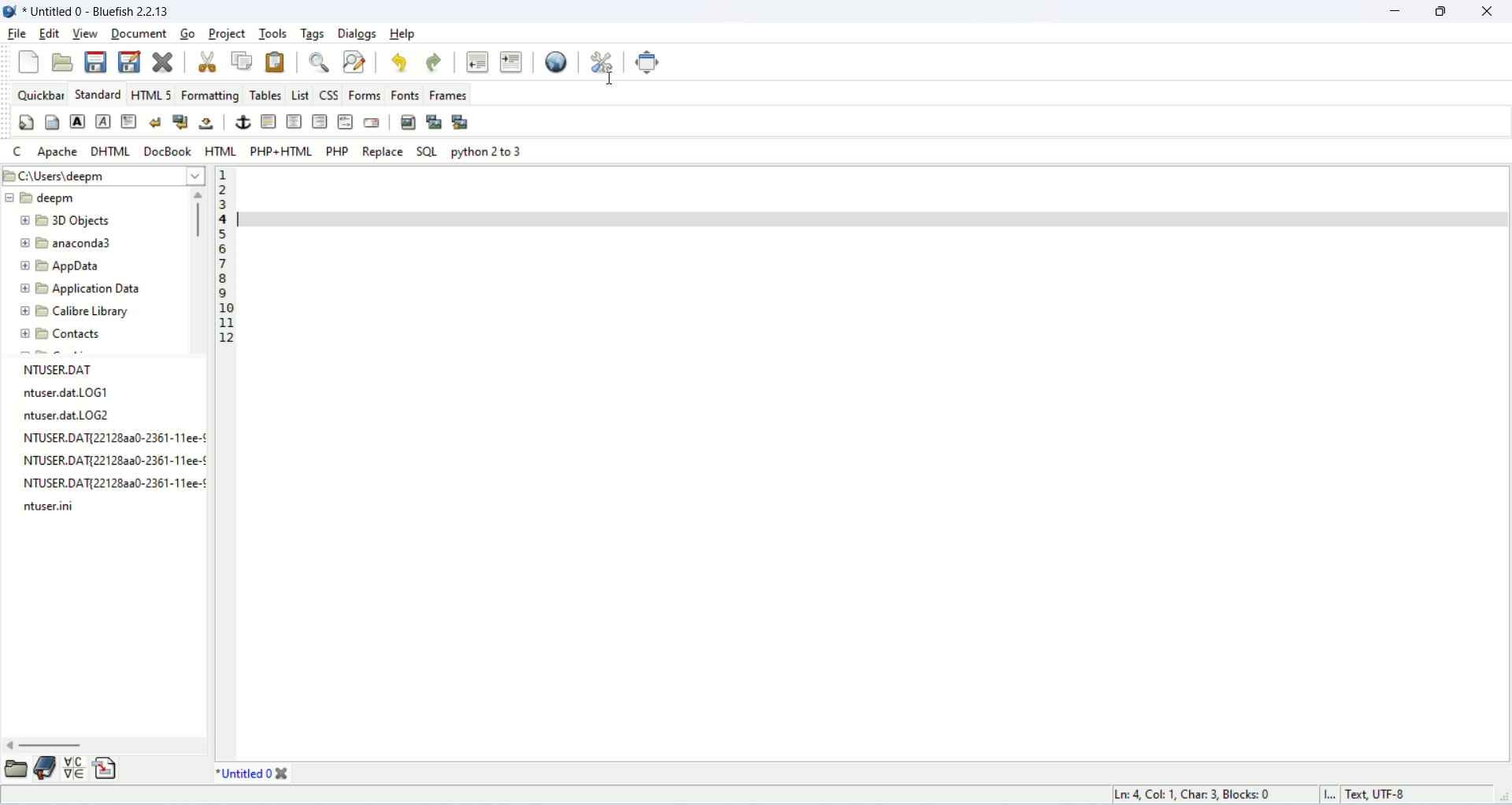 The width and height of the screenshot is (1512, 805). Describe the element at coordinates (409, 123) in the screenshot. I see `insert image` at that location.